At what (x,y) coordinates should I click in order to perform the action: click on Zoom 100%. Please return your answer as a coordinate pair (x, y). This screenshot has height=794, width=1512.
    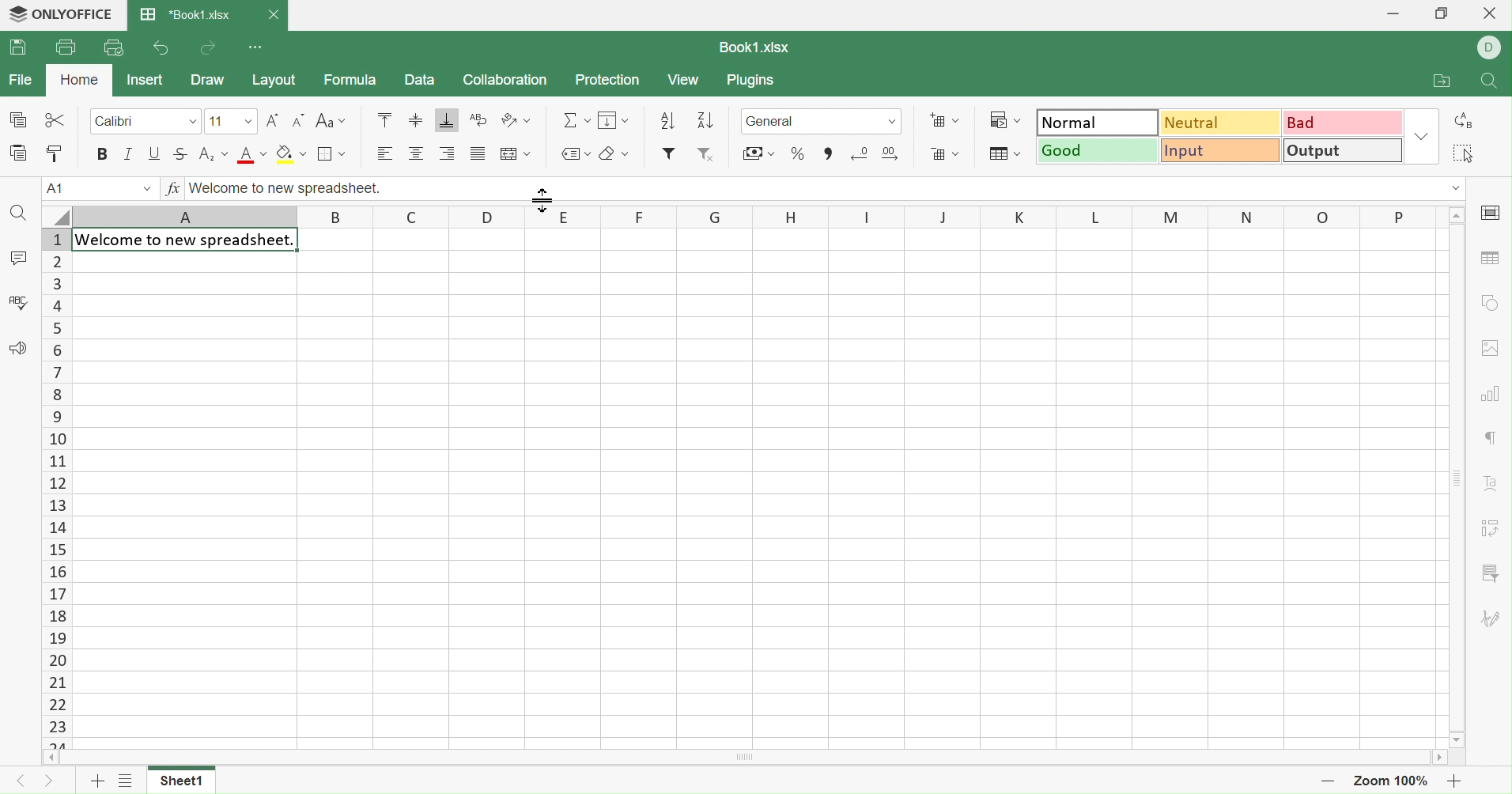
    Looking at the image, I should click on (1392, 781).